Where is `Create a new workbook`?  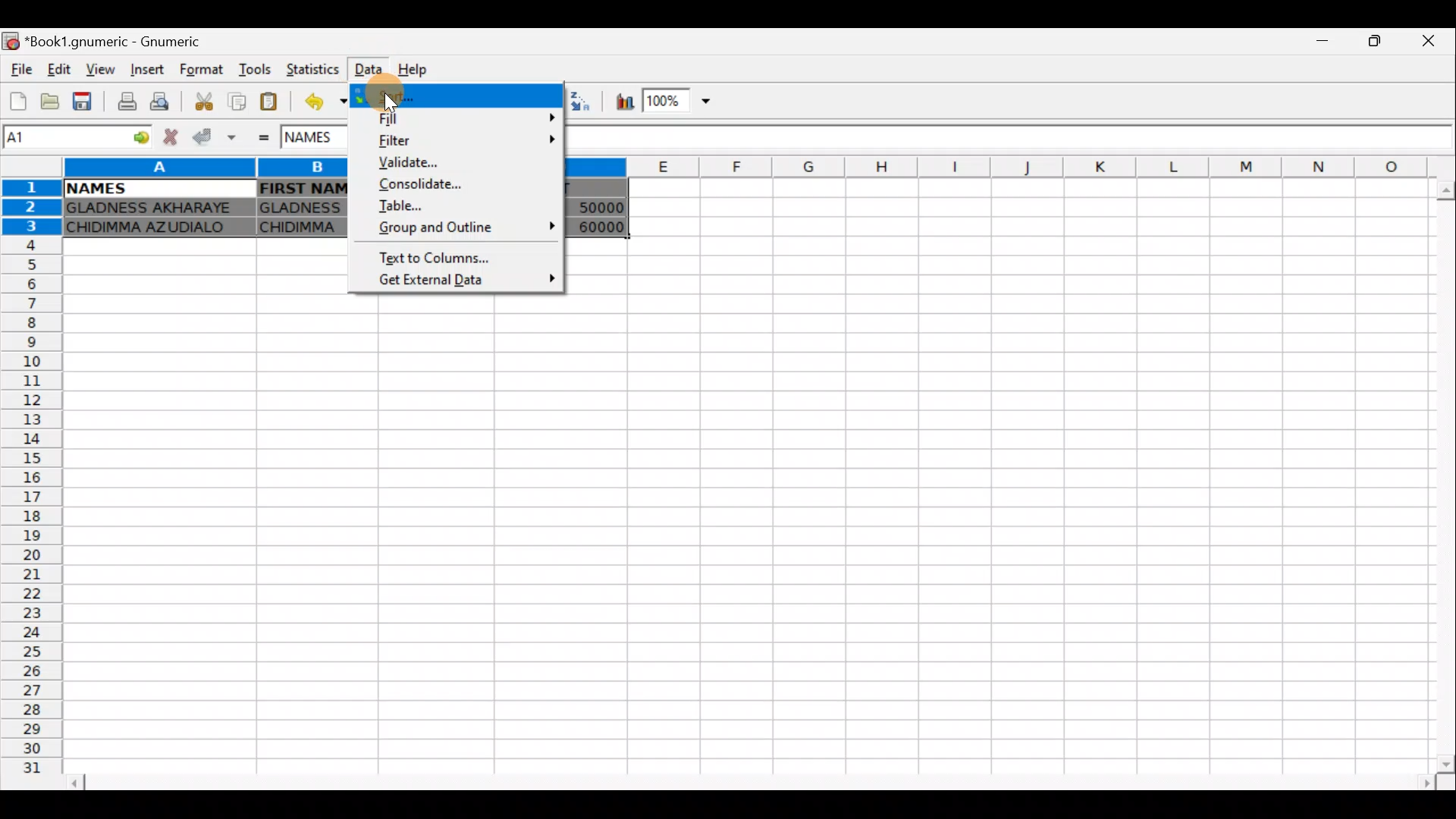
Create a new workbook is located at coordinates (19, 101).